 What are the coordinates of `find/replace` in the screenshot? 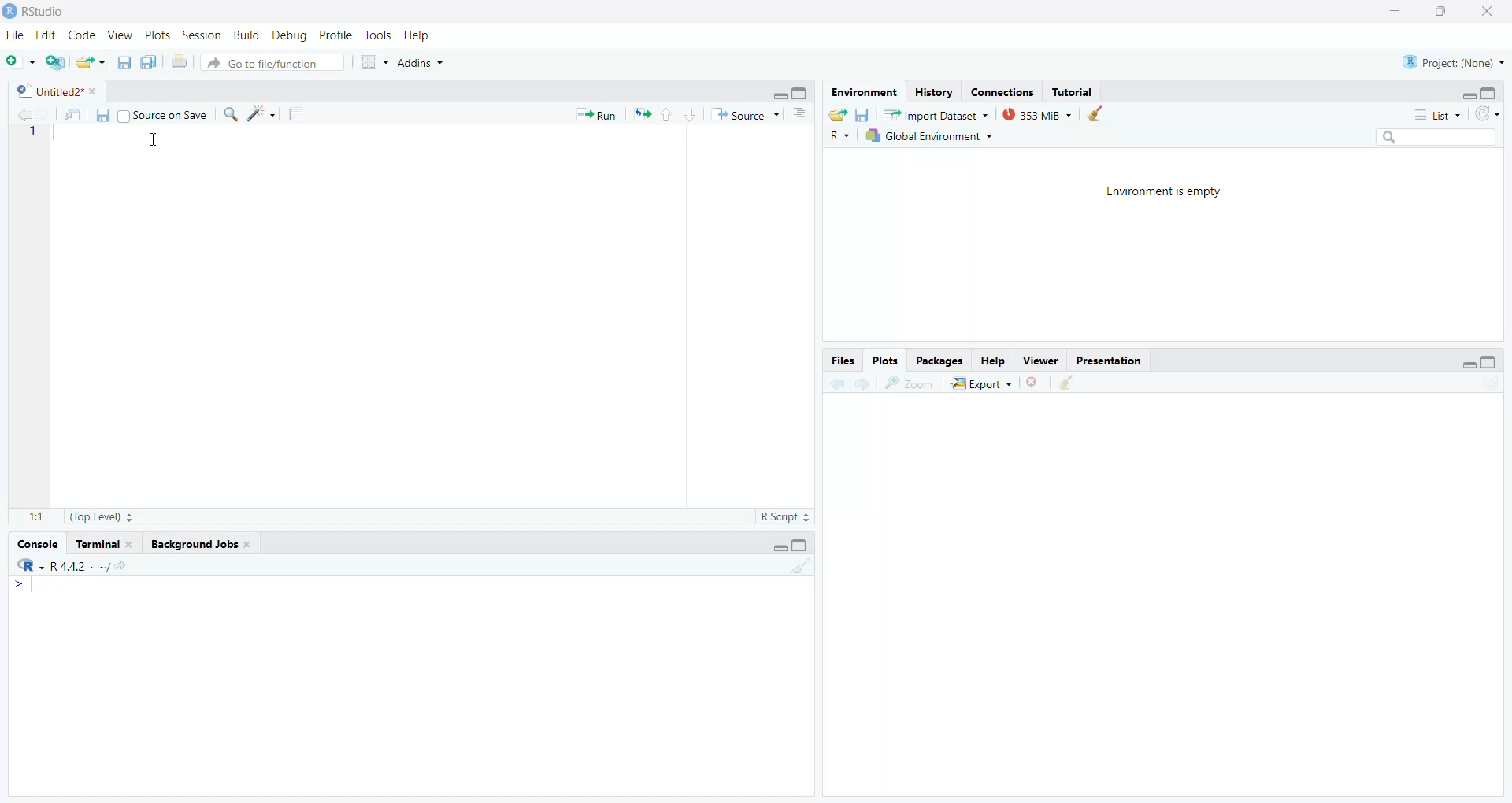 It's located at (230, 114).